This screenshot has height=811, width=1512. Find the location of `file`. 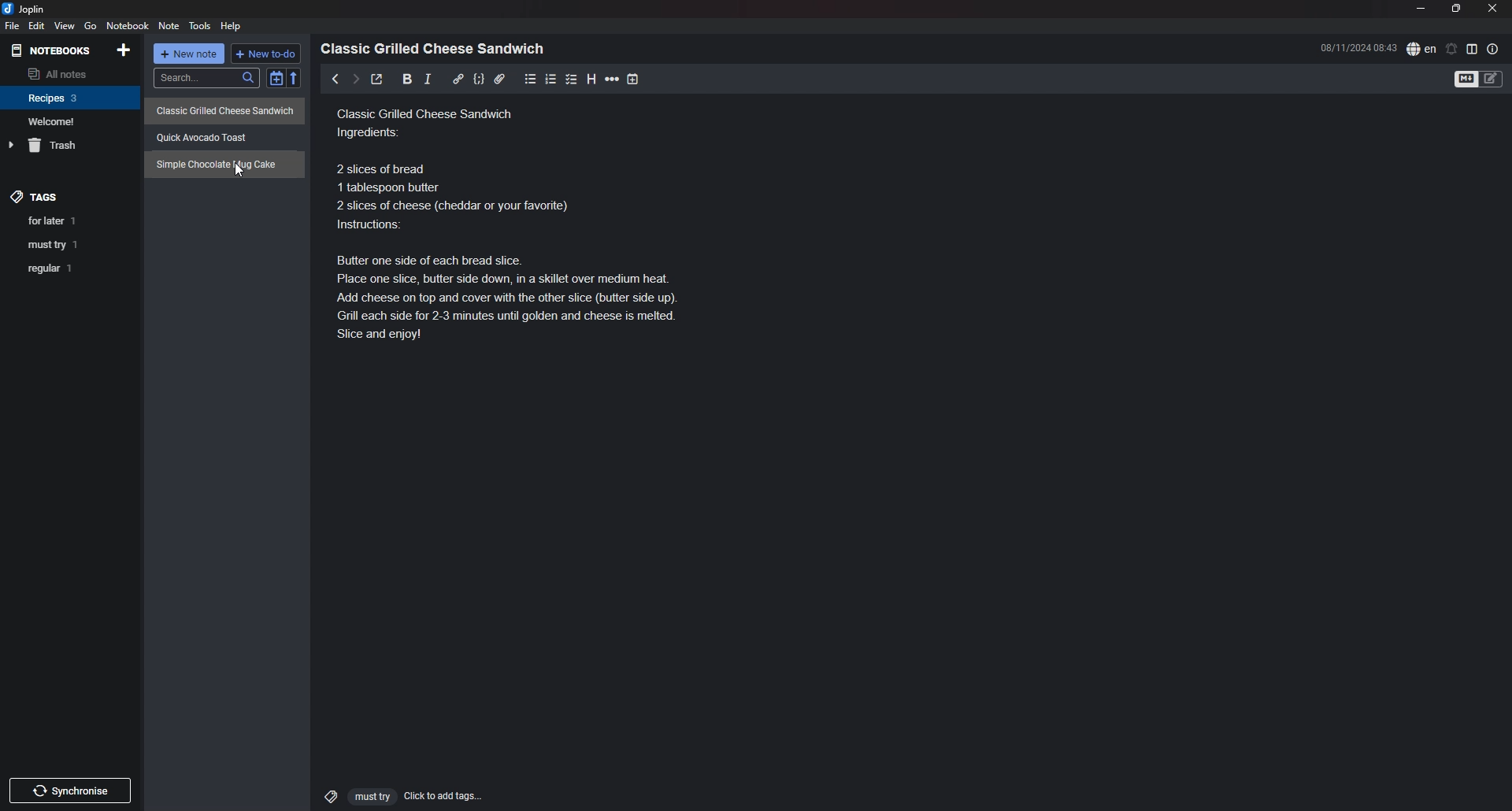

file is located at coordinates (11, 27).